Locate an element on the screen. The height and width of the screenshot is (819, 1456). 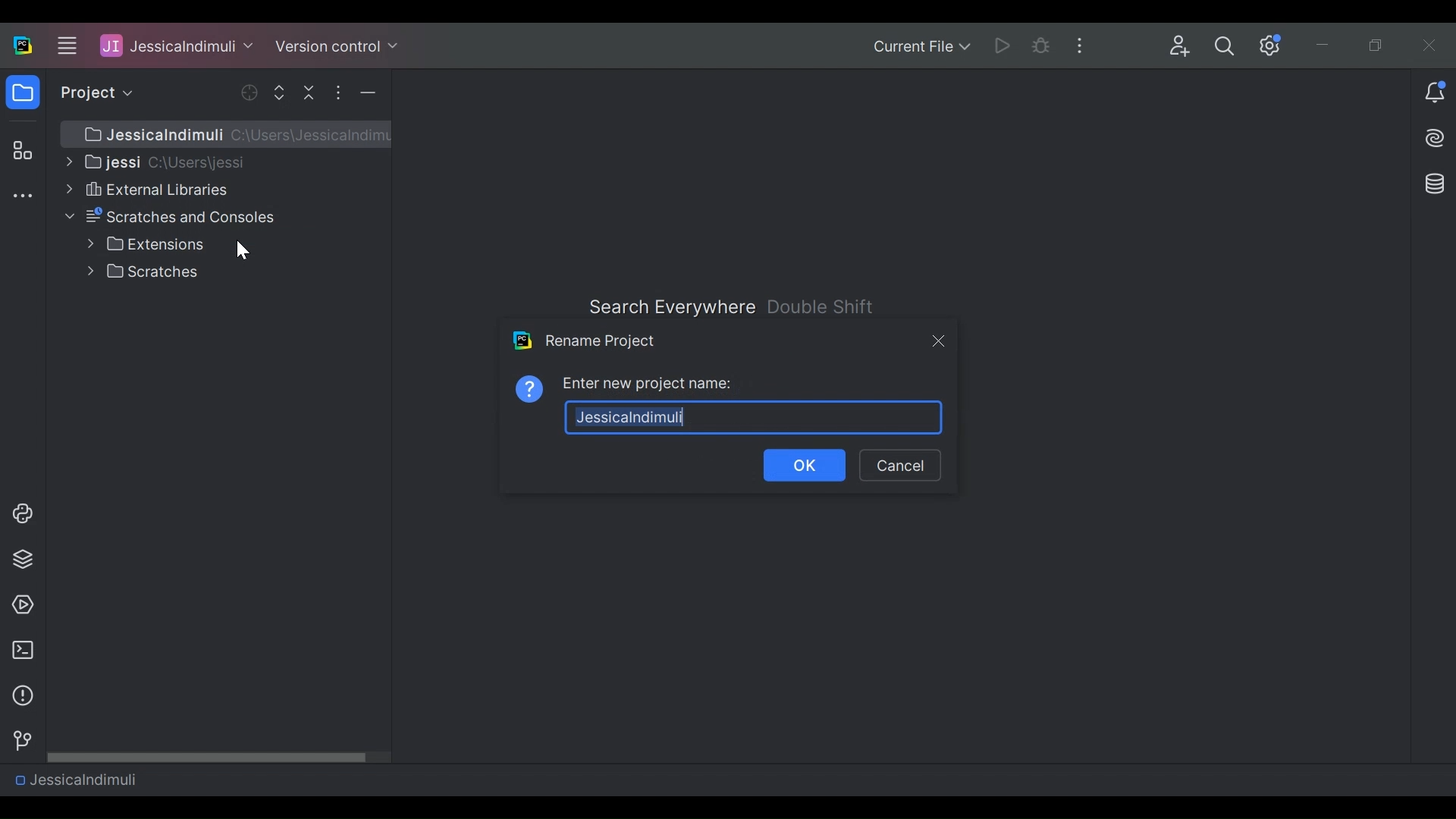
layers is located at coordinates (22, 558).